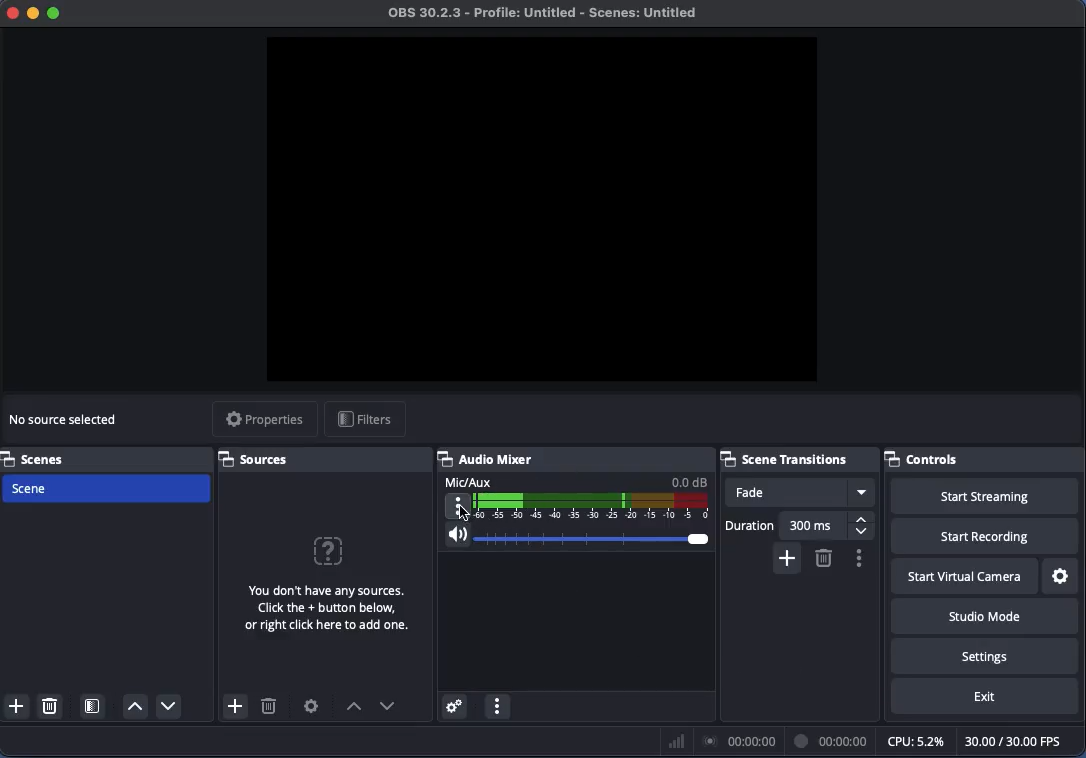 This screenshot has width=1086, height=758. I want to click on Duration, so click(800, 525).